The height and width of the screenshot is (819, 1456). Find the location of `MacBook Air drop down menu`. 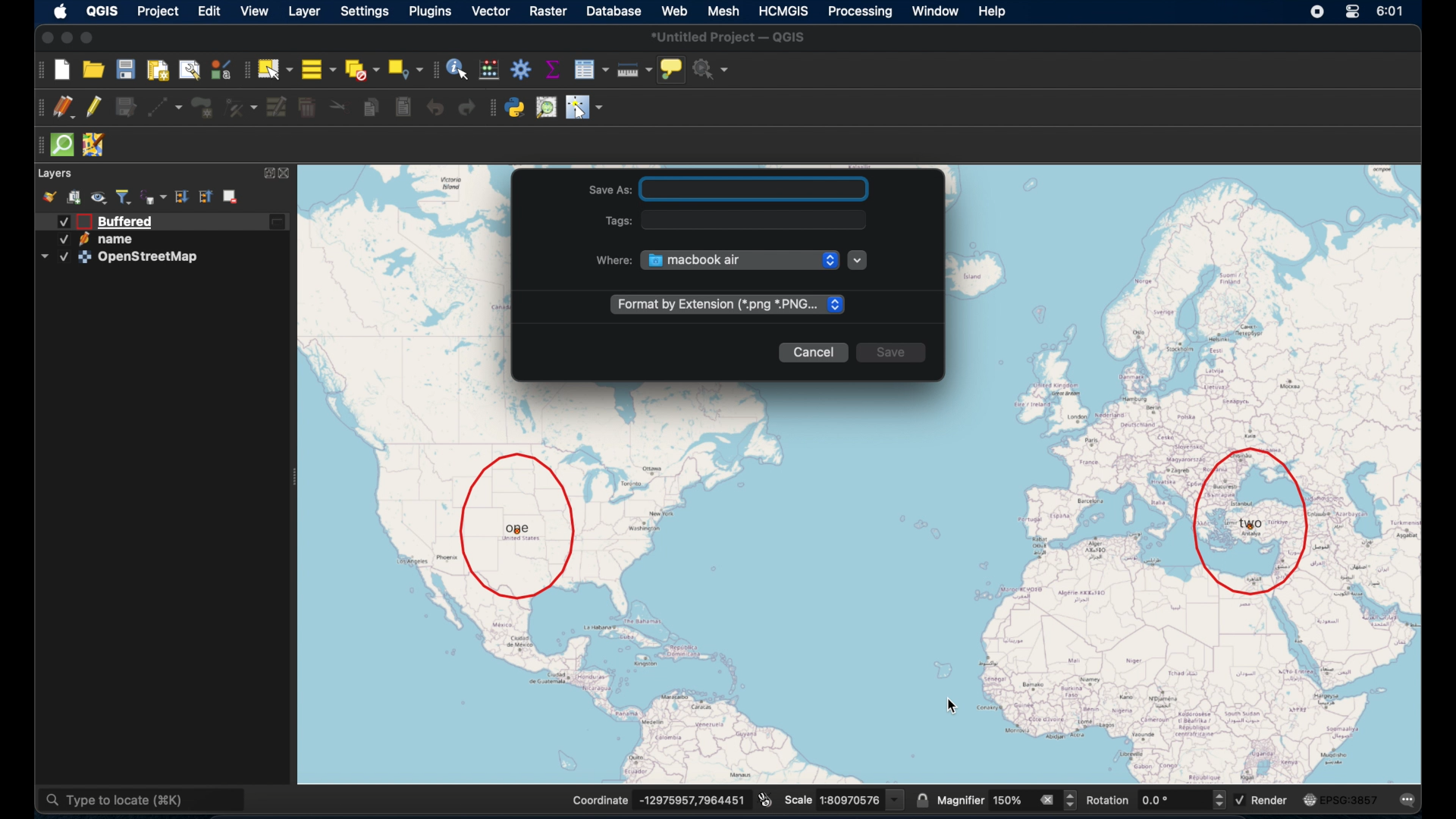

MacBook Air drop down menu is located at coordinates (739, 259).